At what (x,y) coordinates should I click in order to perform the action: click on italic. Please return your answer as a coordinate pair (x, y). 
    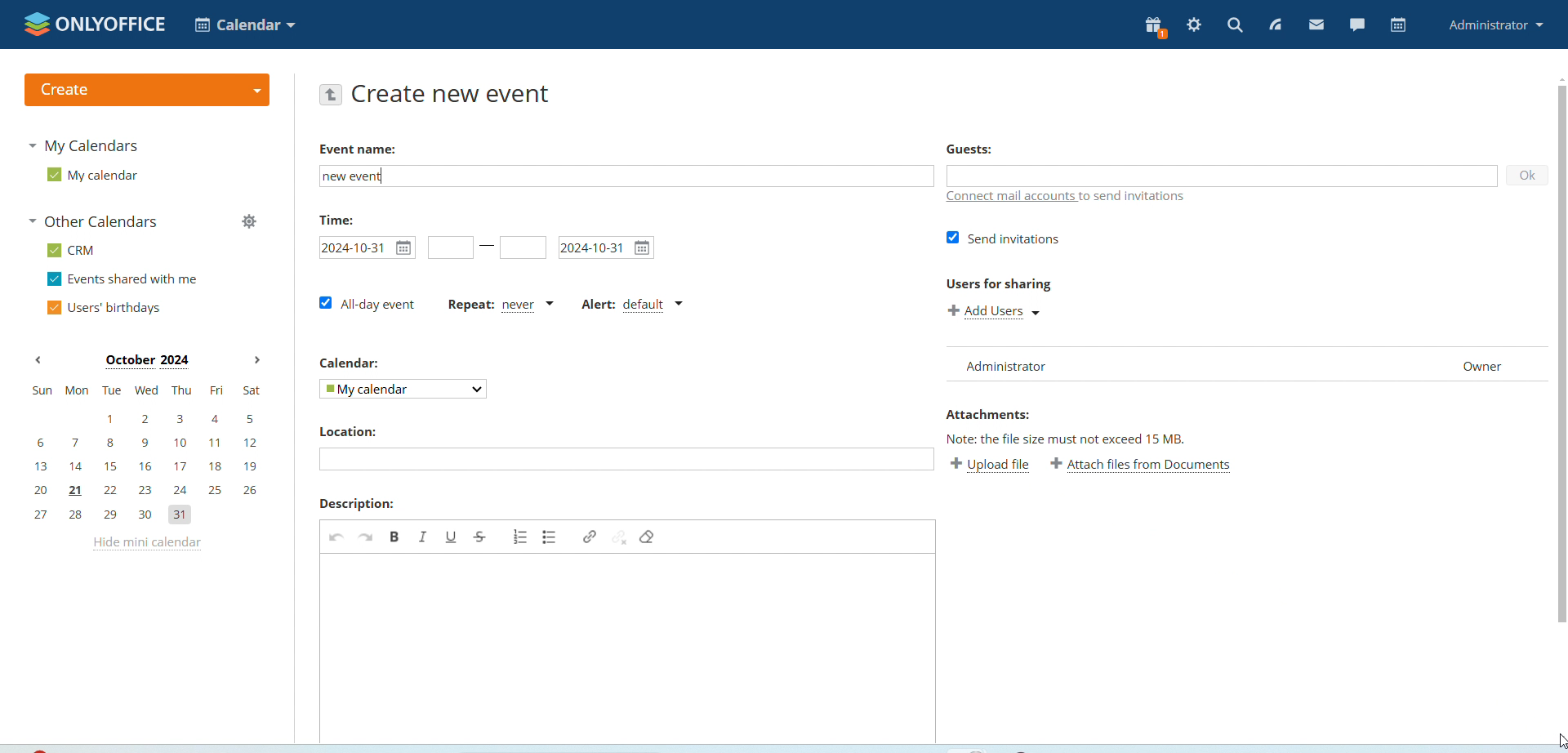
    Looking at the image, I should click on (421, 538).